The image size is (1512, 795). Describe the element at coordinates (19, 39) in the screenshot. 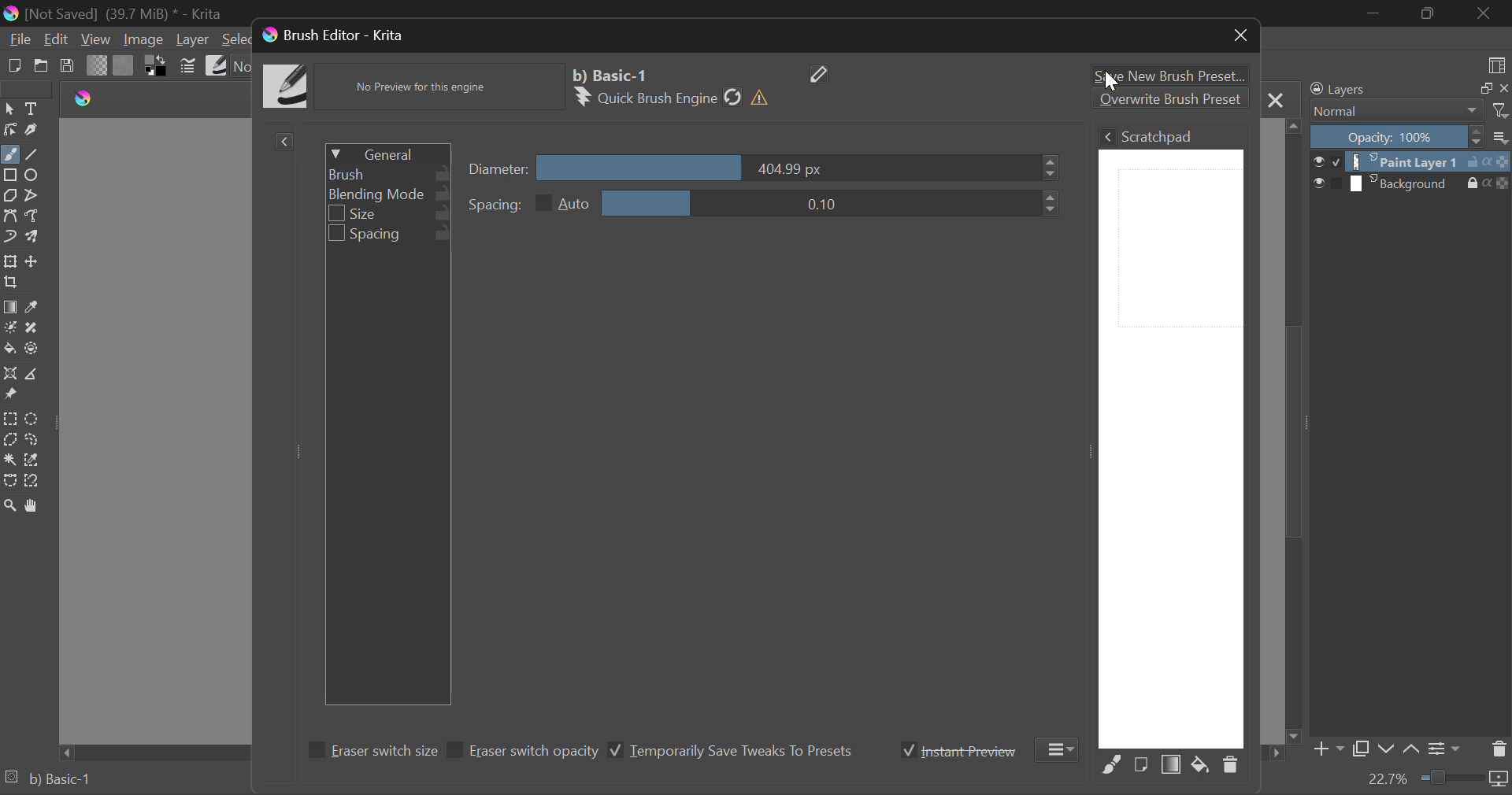

I see `File` at that location.